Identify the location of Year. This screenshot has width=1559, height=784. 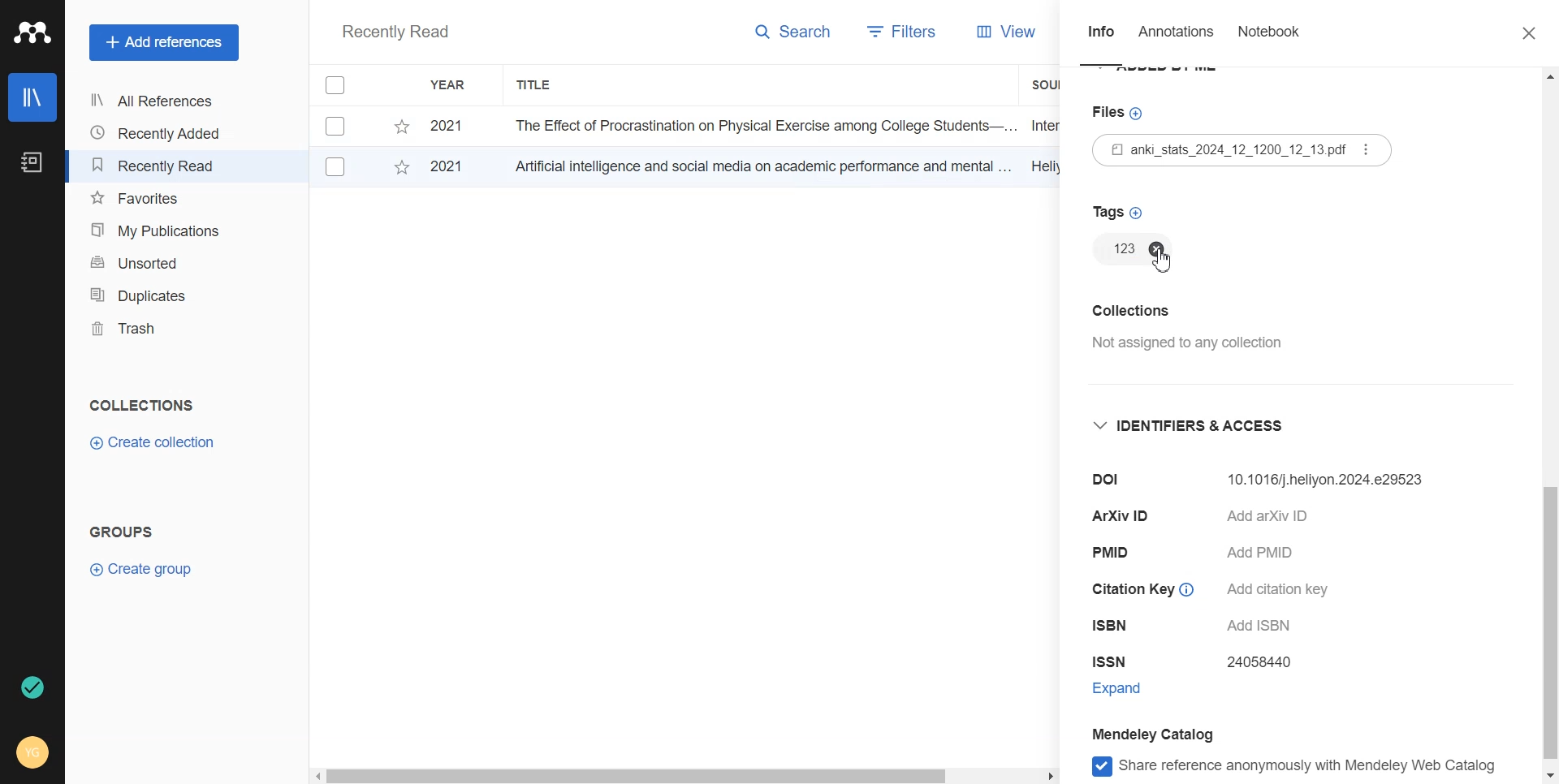
(451, 85).